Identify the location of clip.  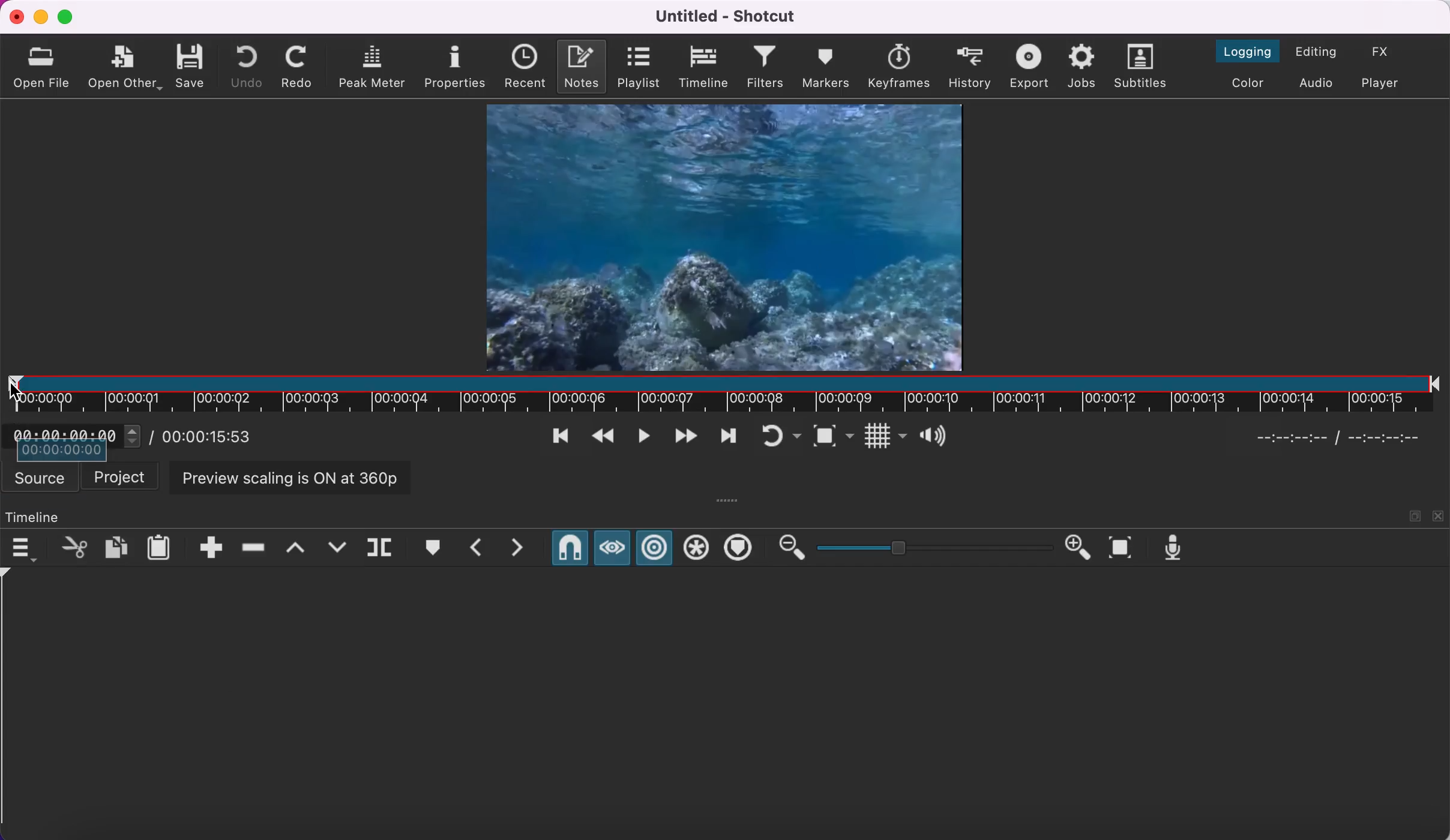
(723, 238).